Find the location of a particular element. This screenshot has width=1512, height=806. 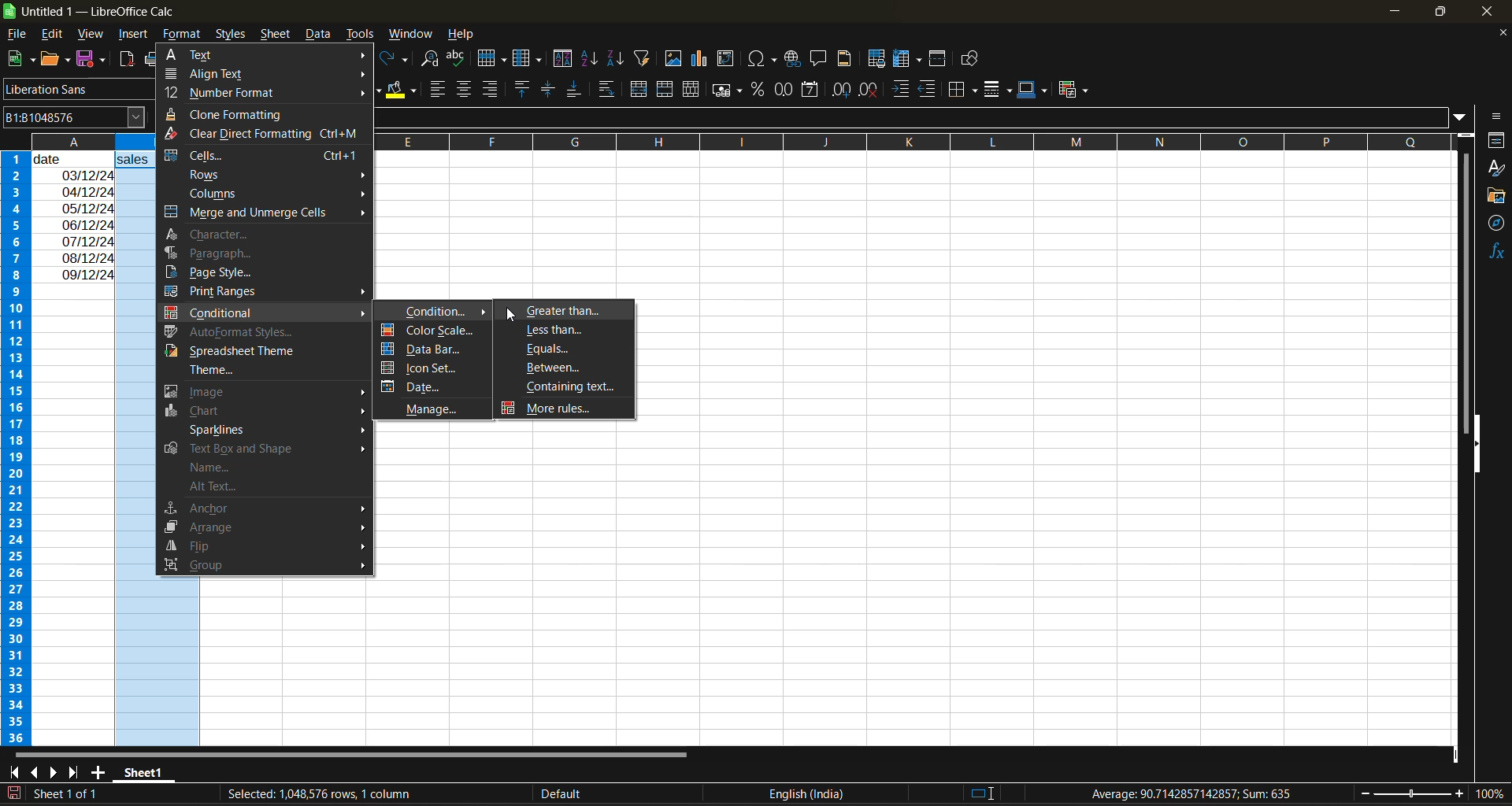

new is located at coordinates (18, 59).